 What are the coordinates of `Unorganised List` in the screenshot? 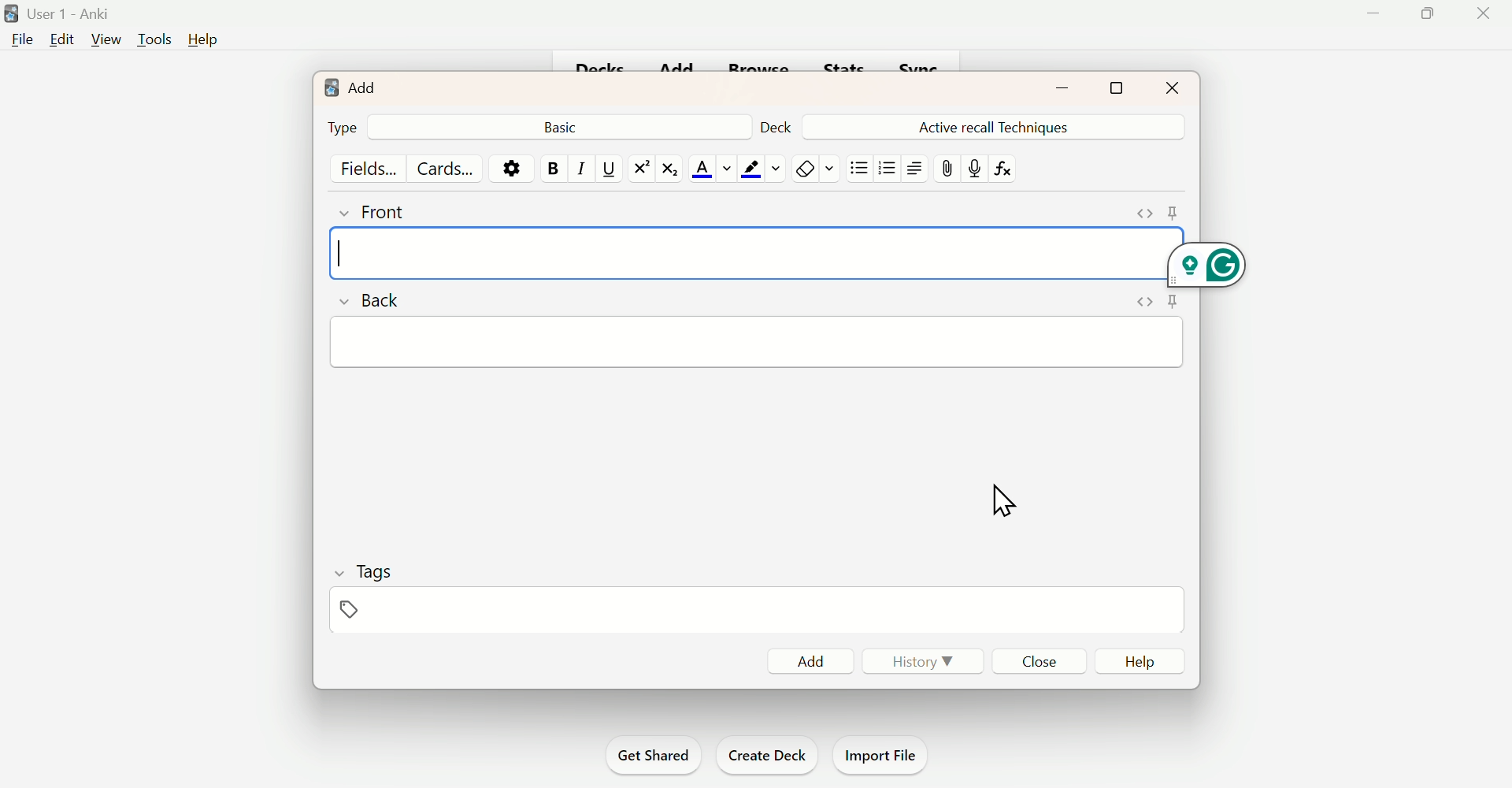 It's located at (860, 167).